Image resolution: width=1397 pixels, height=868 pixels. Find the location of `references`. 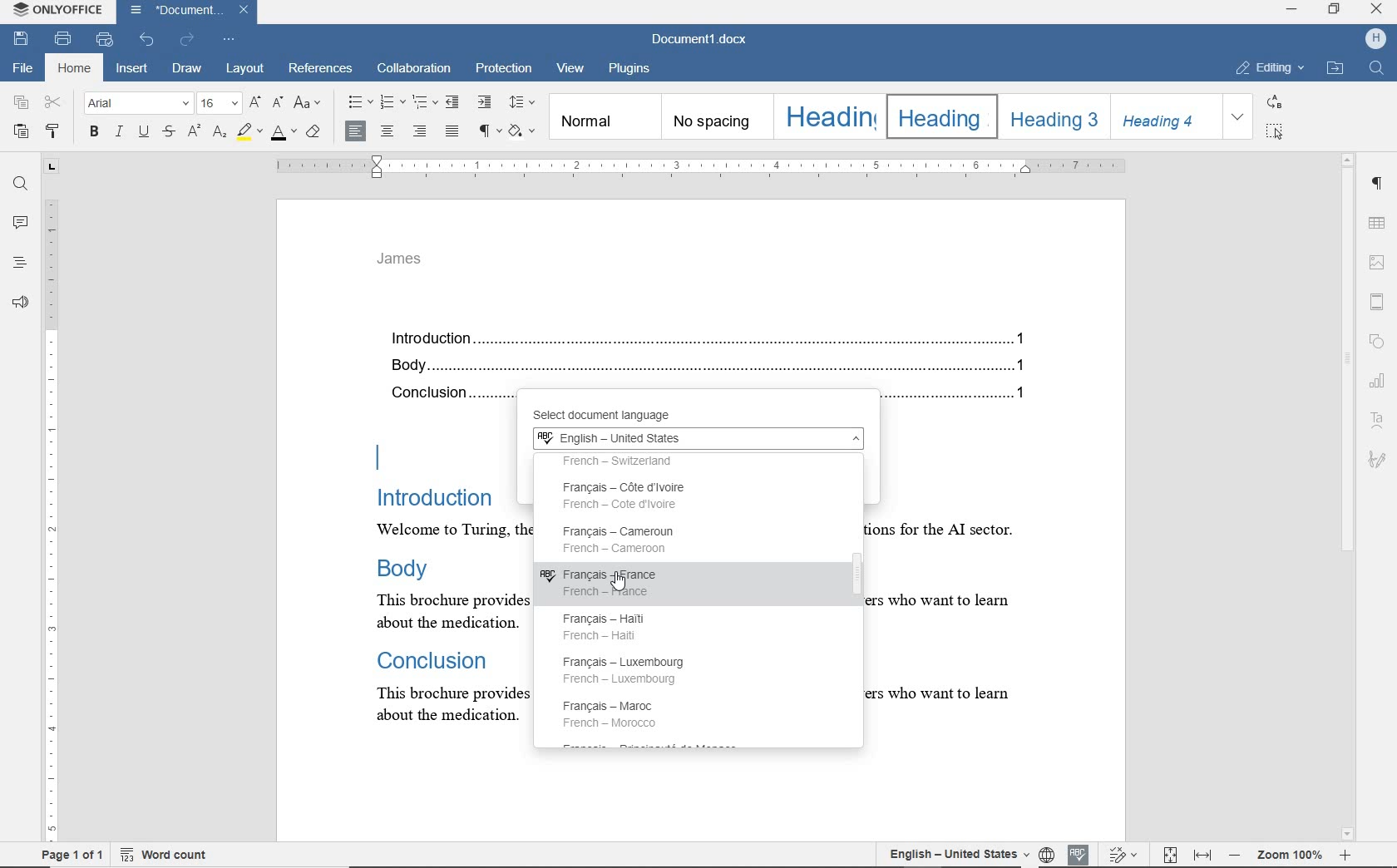

references is located at coordinates (322, 71).